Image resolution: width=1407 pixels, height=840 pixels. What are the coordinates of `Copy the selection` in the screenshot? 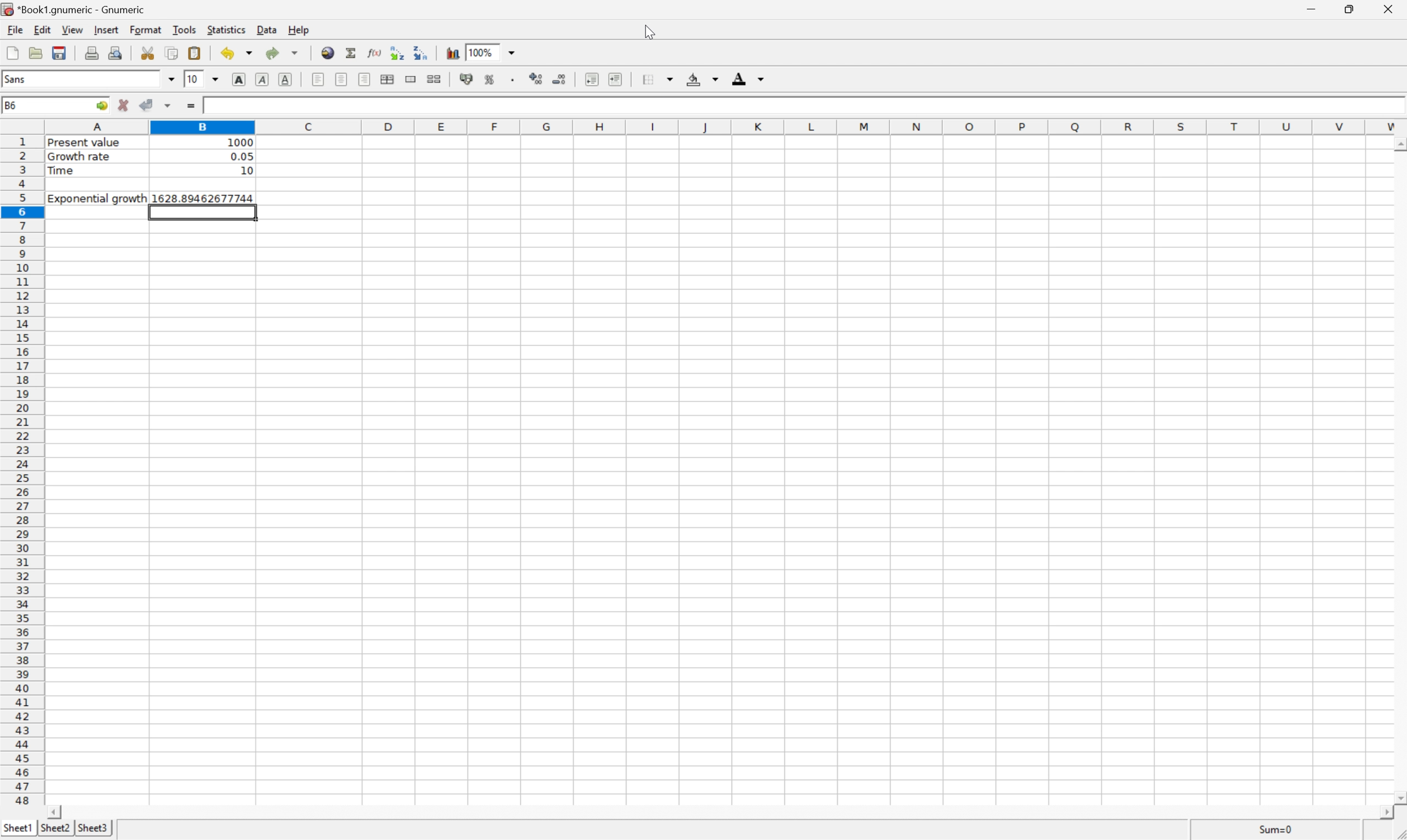 It's located at (172, 52).